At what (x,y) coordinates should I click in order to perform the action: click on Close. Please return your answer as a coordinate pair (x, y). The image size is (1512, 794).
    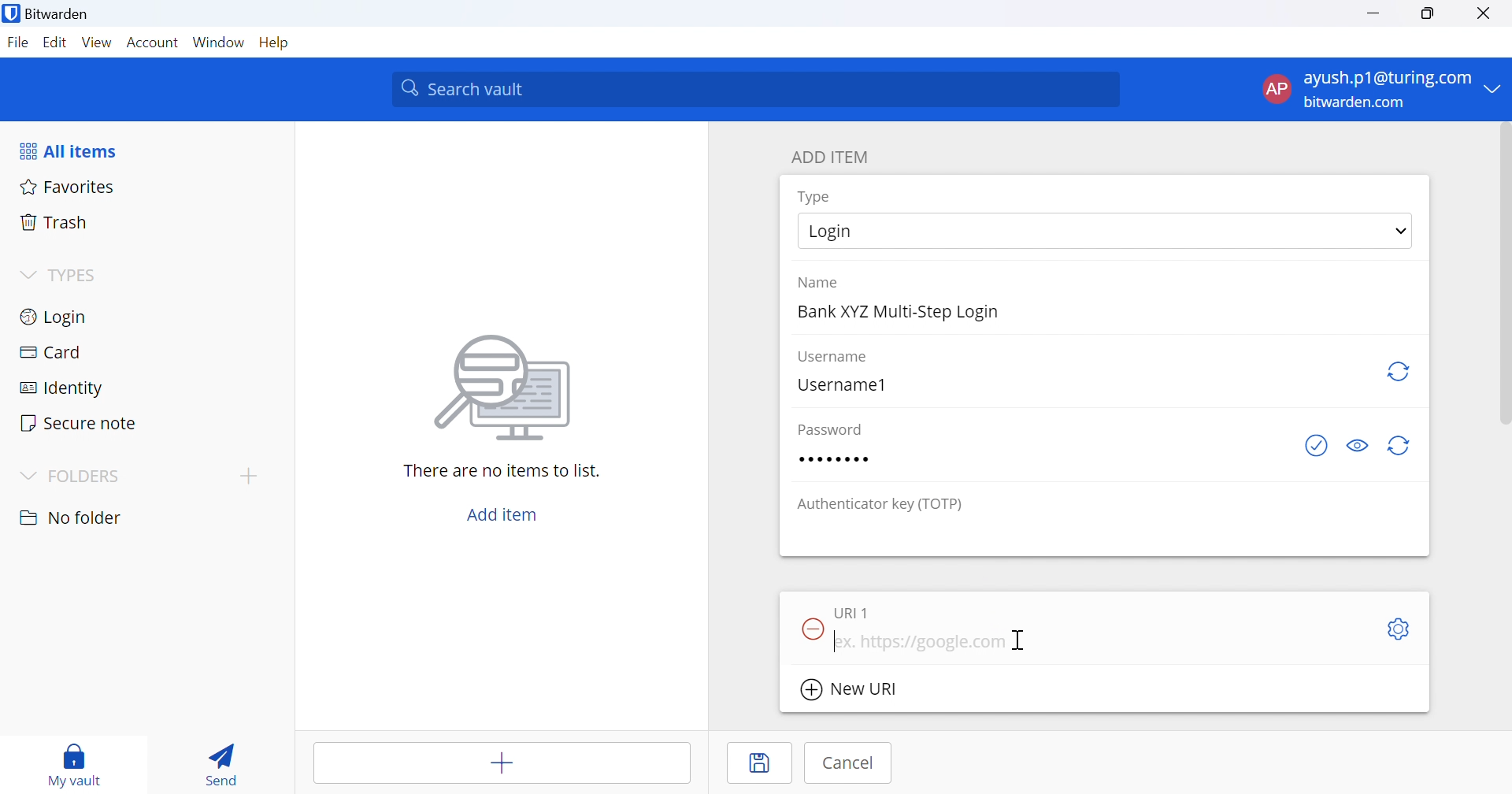
    Looking at the image, I should click on (1486, 15).